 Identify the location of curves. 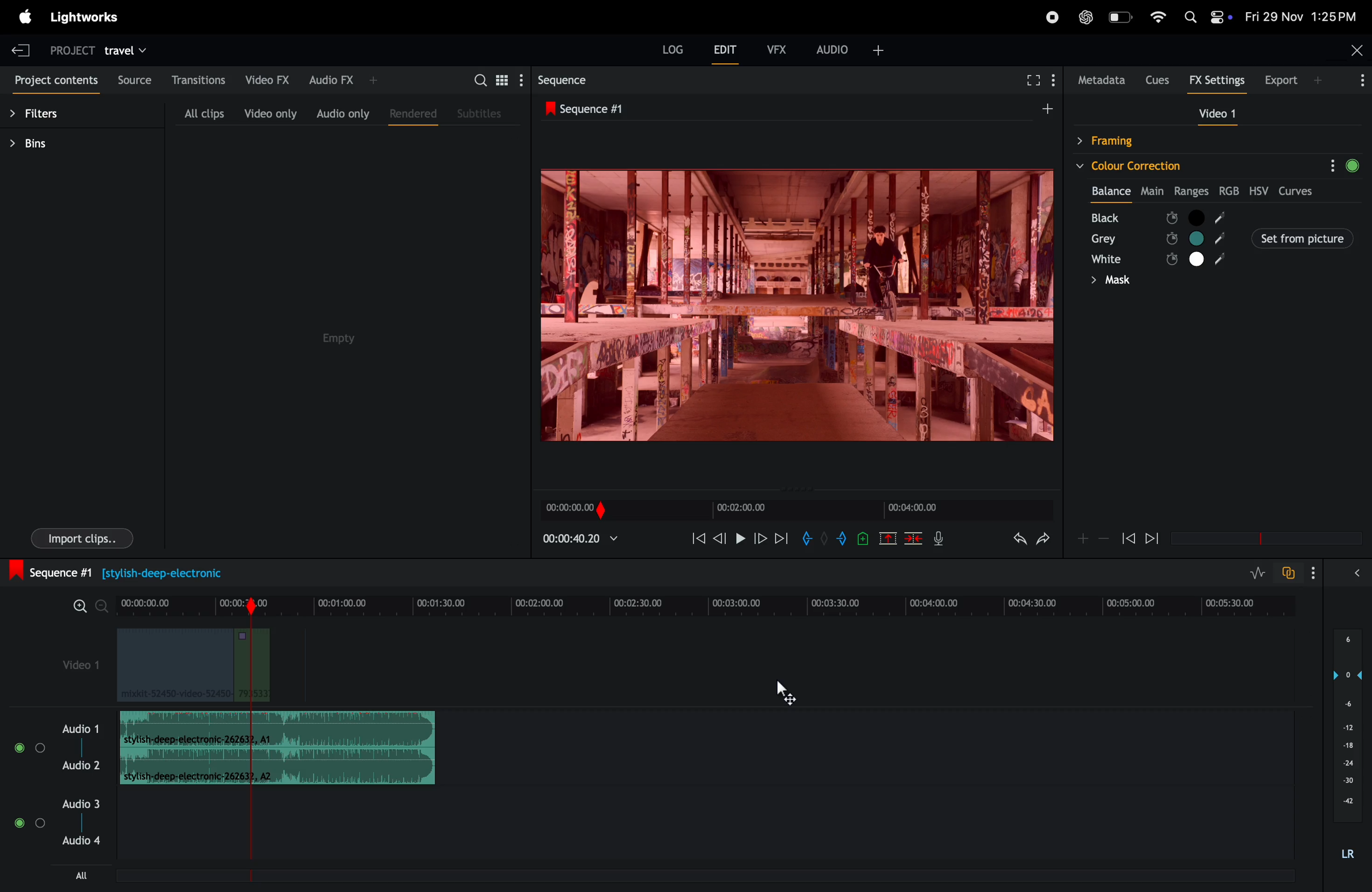
(1299, 191).